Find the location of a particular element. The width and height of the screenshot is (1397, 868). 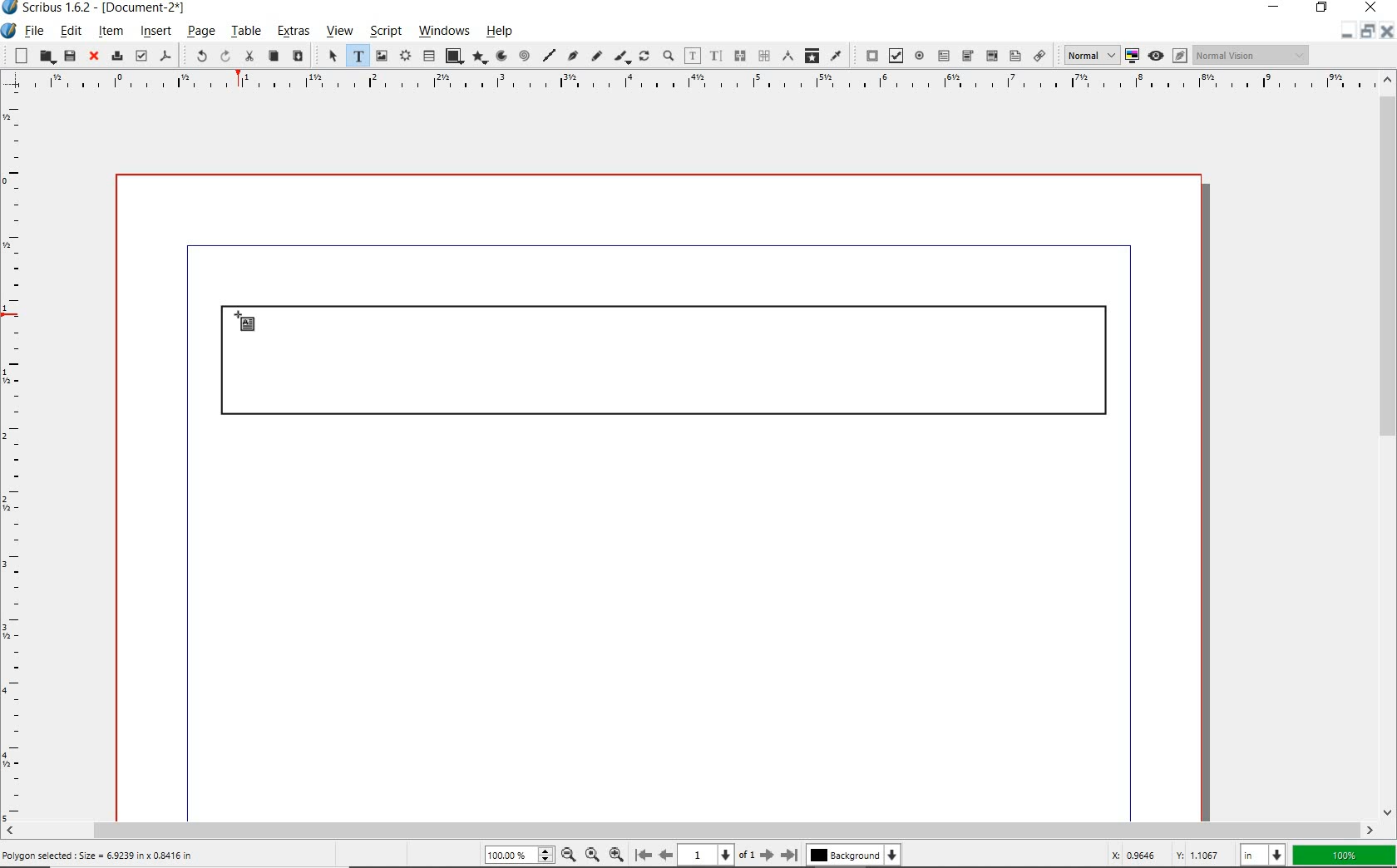

new is located at coordinates (17, 55).